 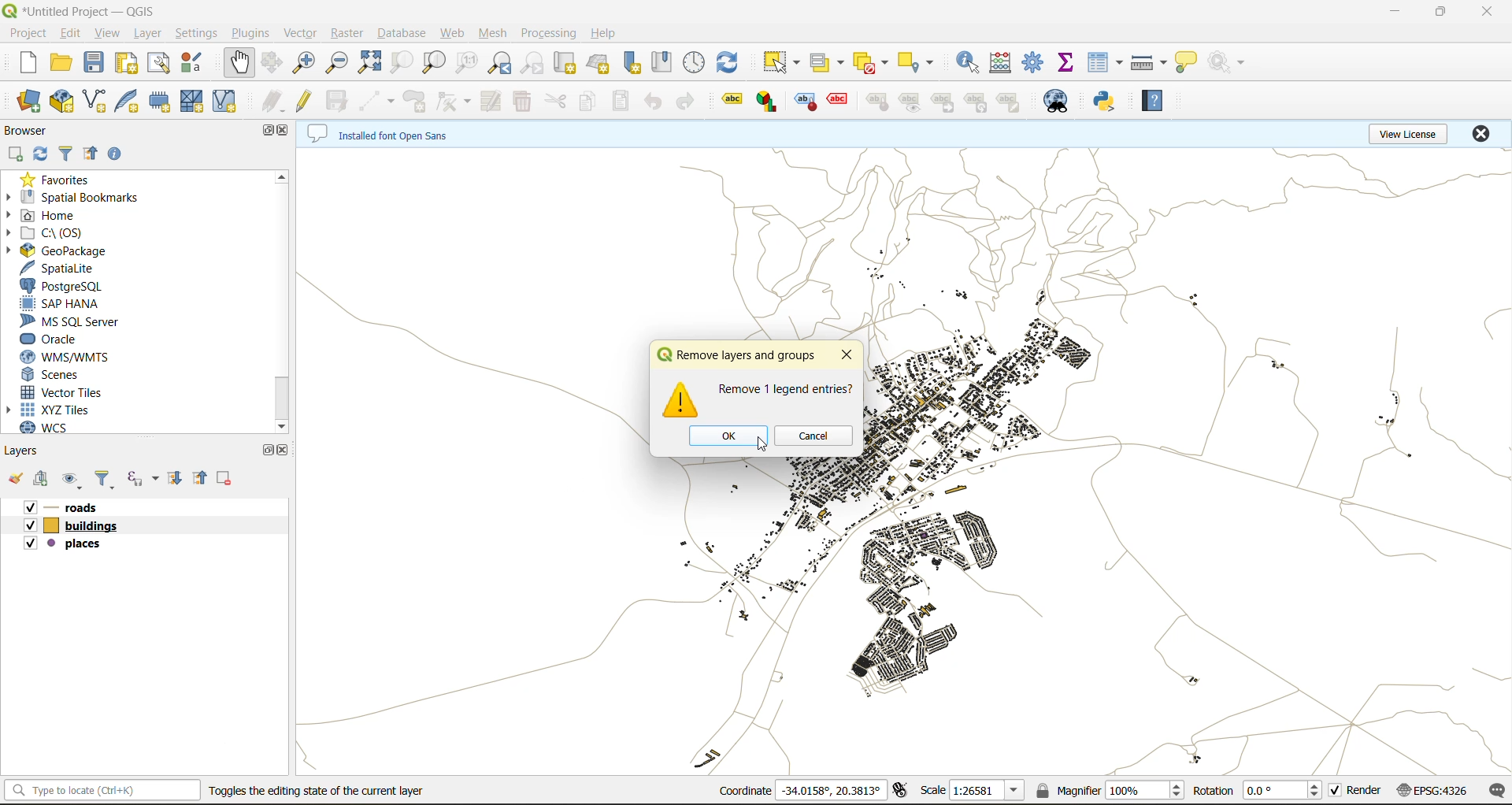 What do you see at coordinates (224, 100) in the screenshot?
I see `virtual layer` at bounding box center [224, 100].